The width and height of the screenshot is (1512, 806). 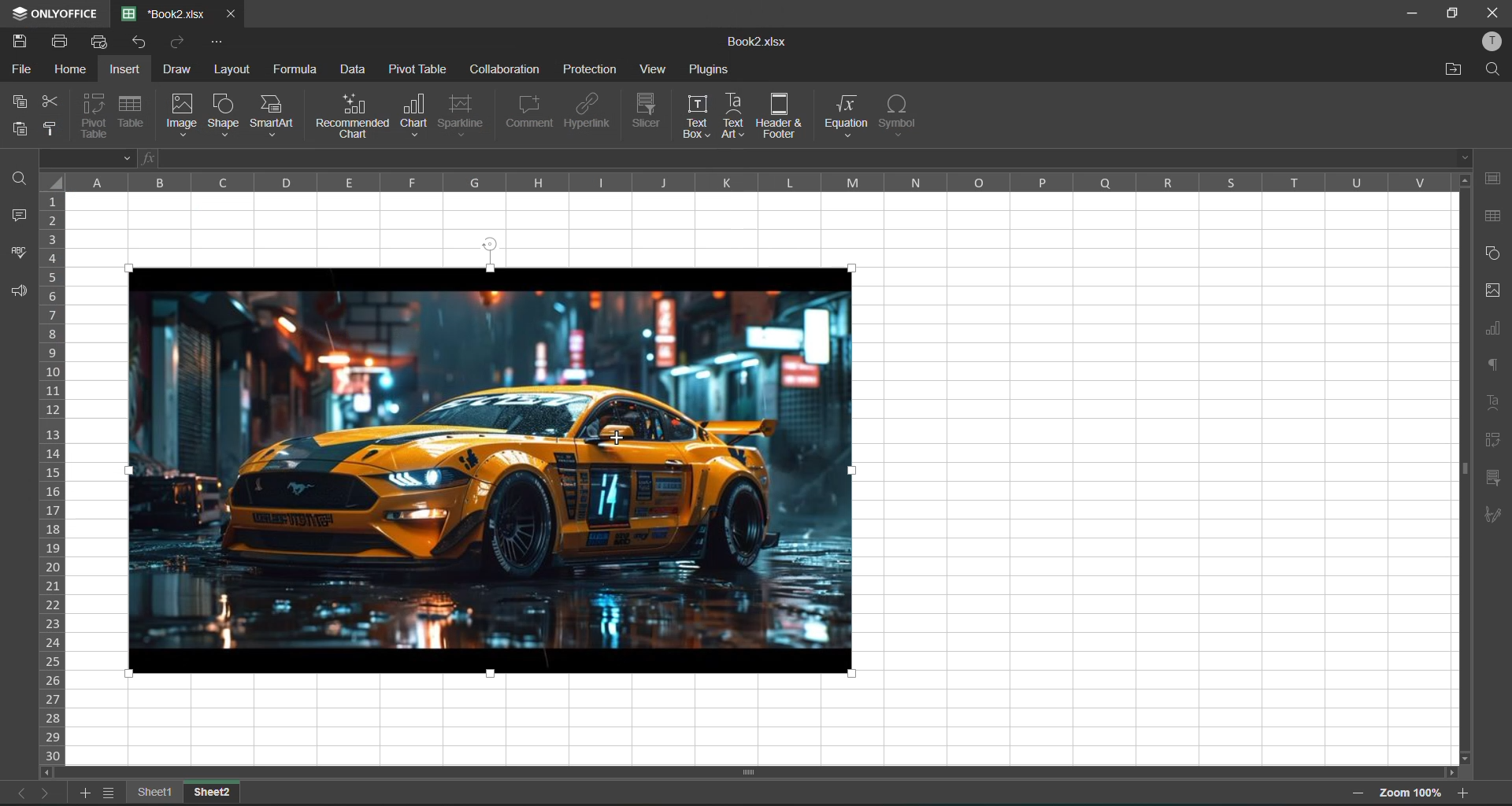 What do you see at coordinates (1494, 479) in the screenshot?
I see `slicer` at bounding box center [1494, 479].